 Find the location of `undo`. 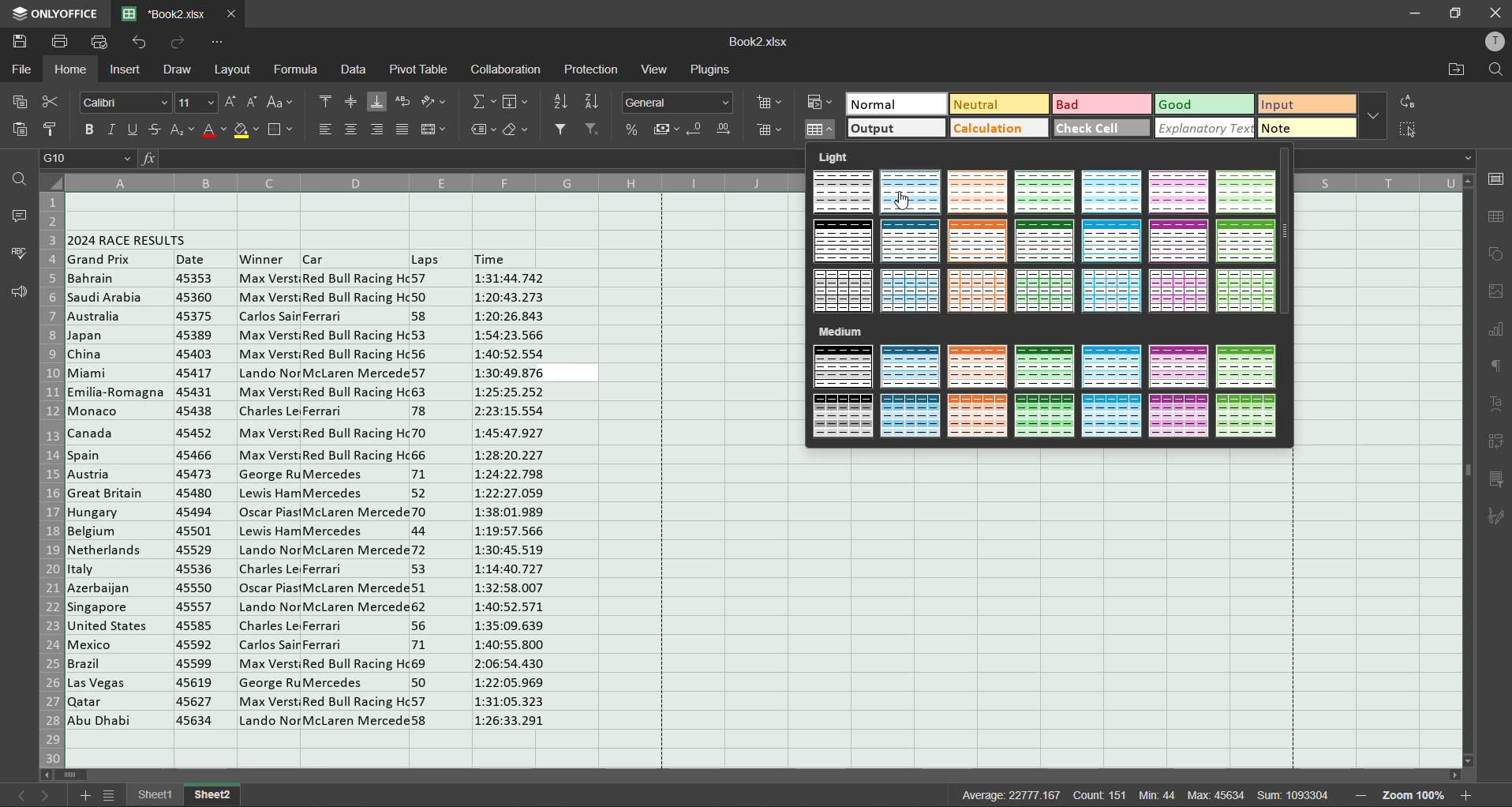

undo is located at coordinates (138, 44).